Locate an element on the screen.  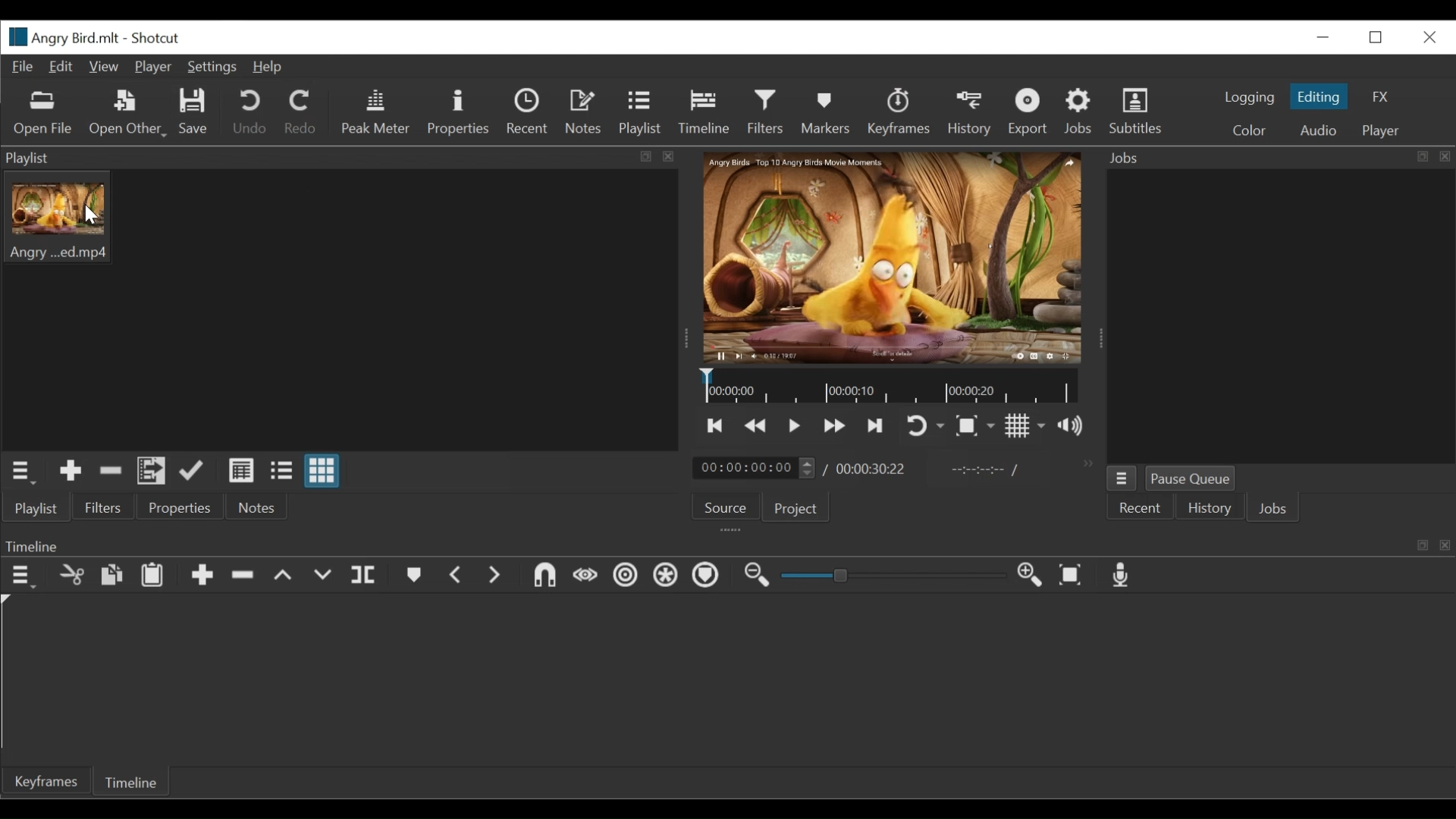
Toggle player looping is located at coordinates (921, 424).